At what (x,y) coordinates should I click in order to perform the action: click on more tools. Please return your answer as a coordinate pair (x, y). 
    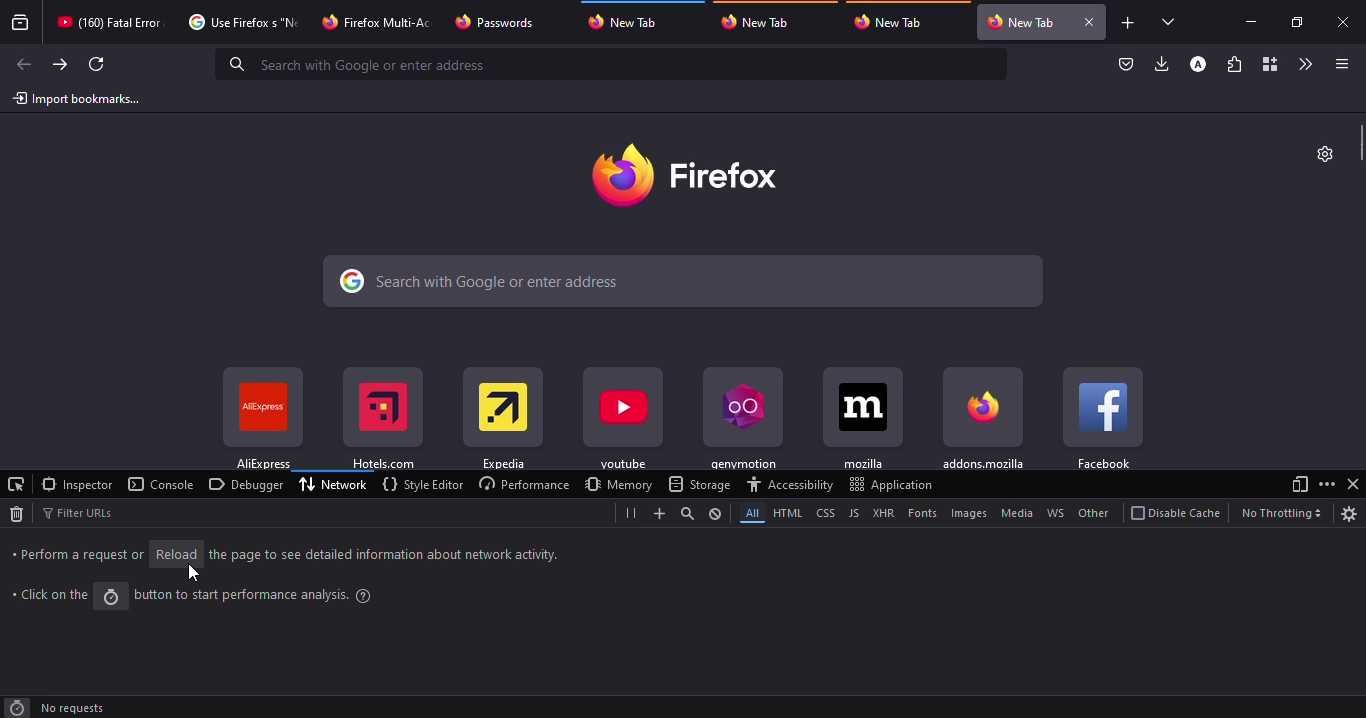
    Looking at the image, I should click on (1303, 65).